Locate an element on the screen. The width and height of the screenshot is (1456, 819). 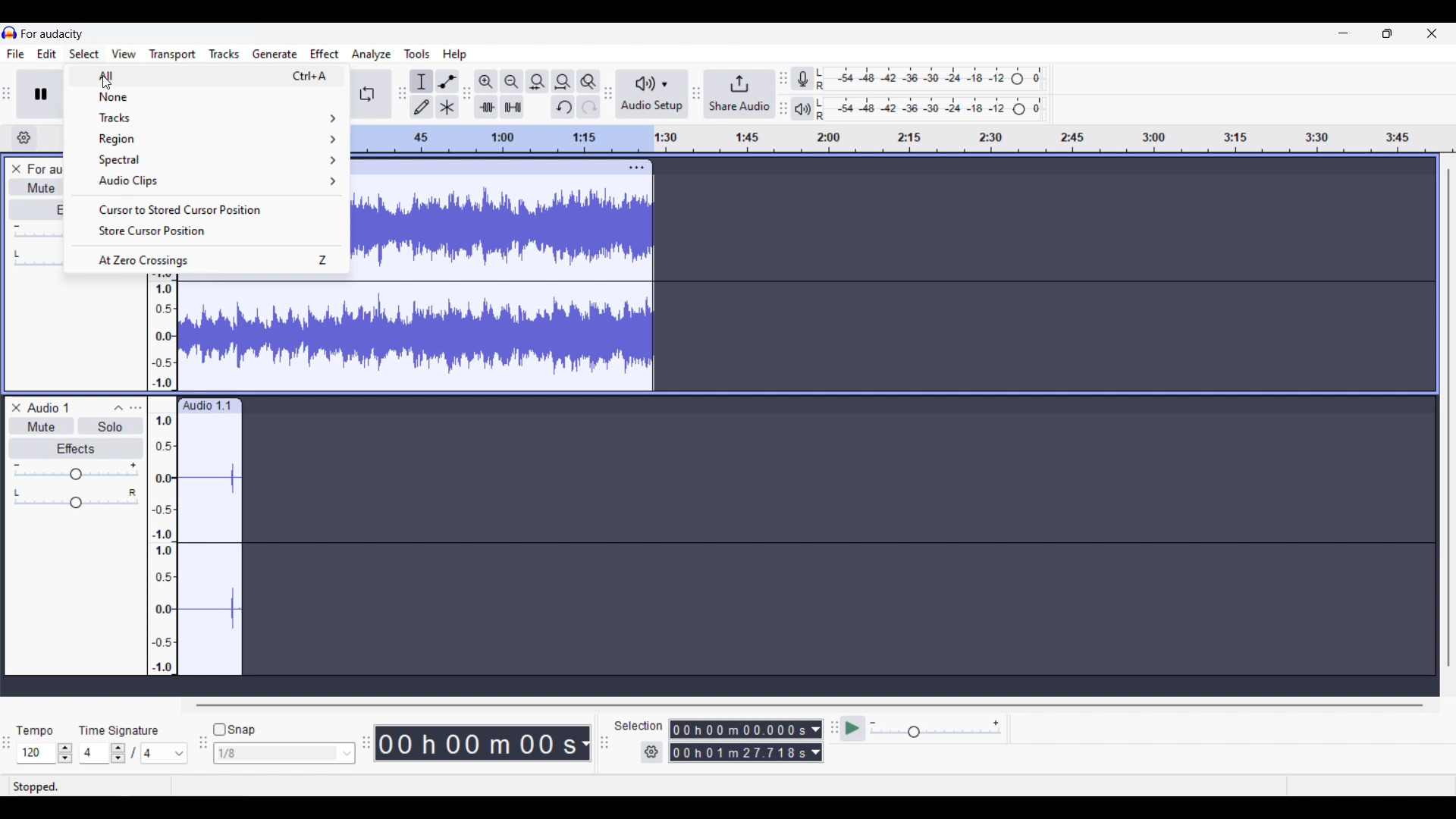
Audio setup is located at coordinates (652, 94).